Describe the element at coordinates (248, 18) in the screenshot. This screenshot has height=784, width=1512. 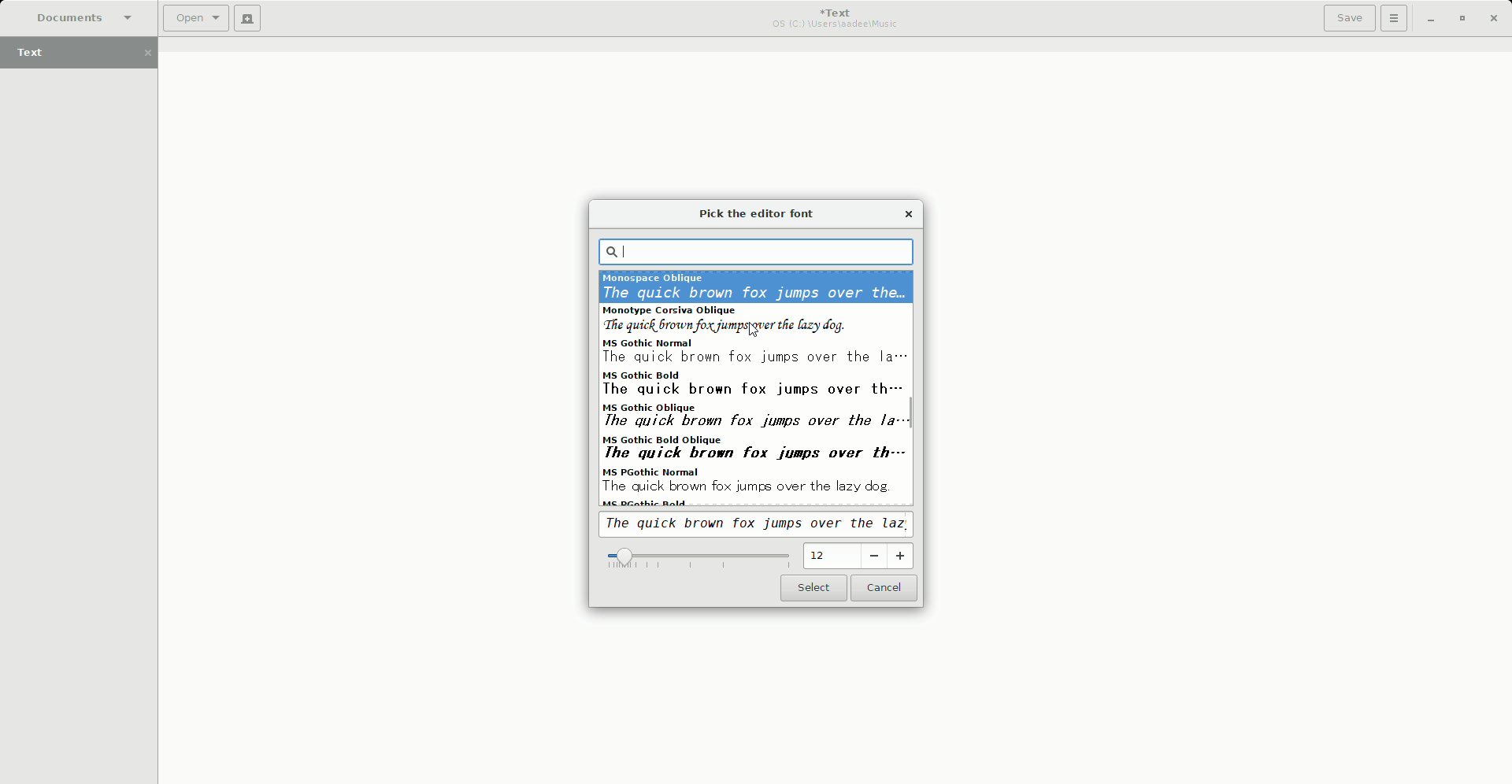
I see `New` at that location.